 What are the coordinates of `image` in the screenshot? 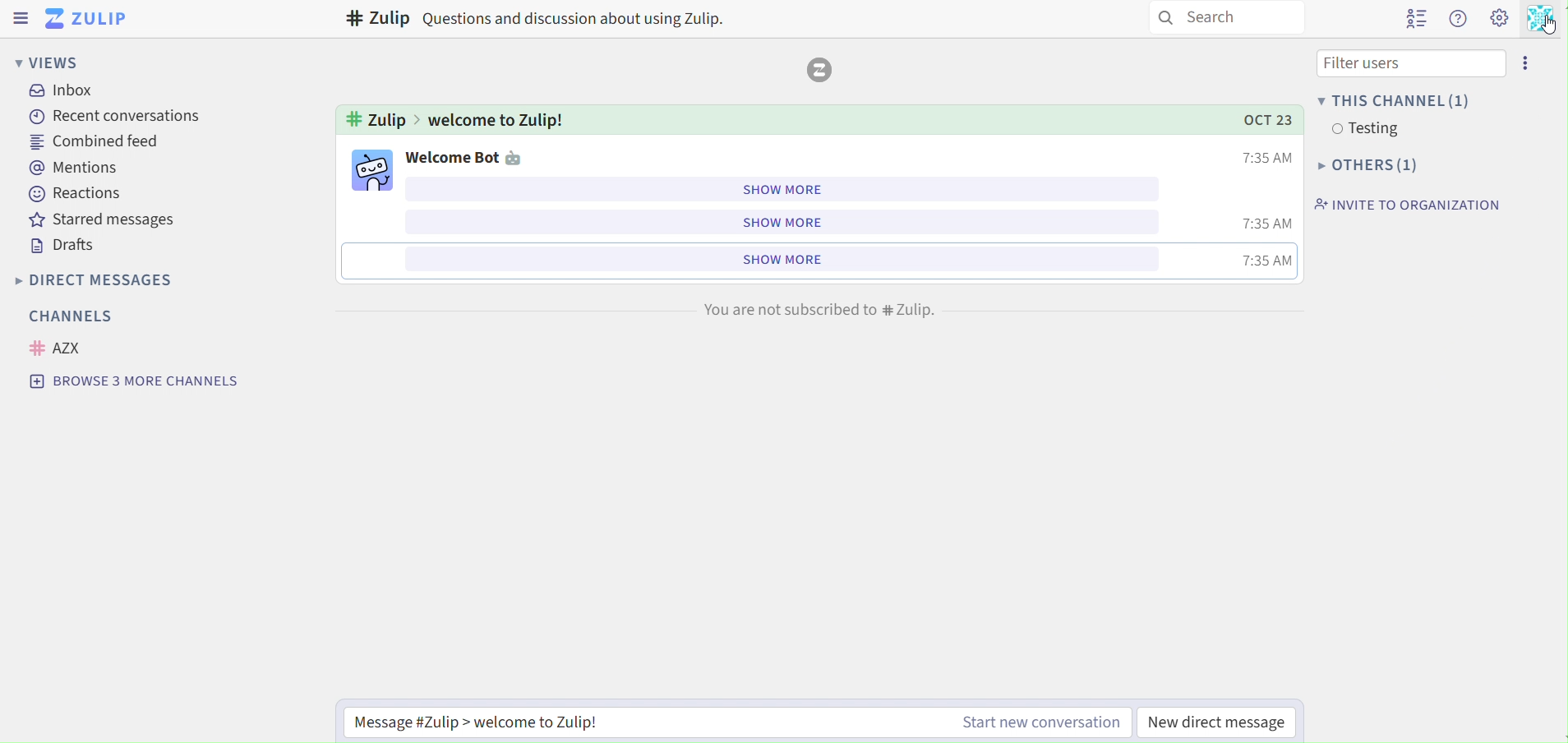 It's located at (822, 70).